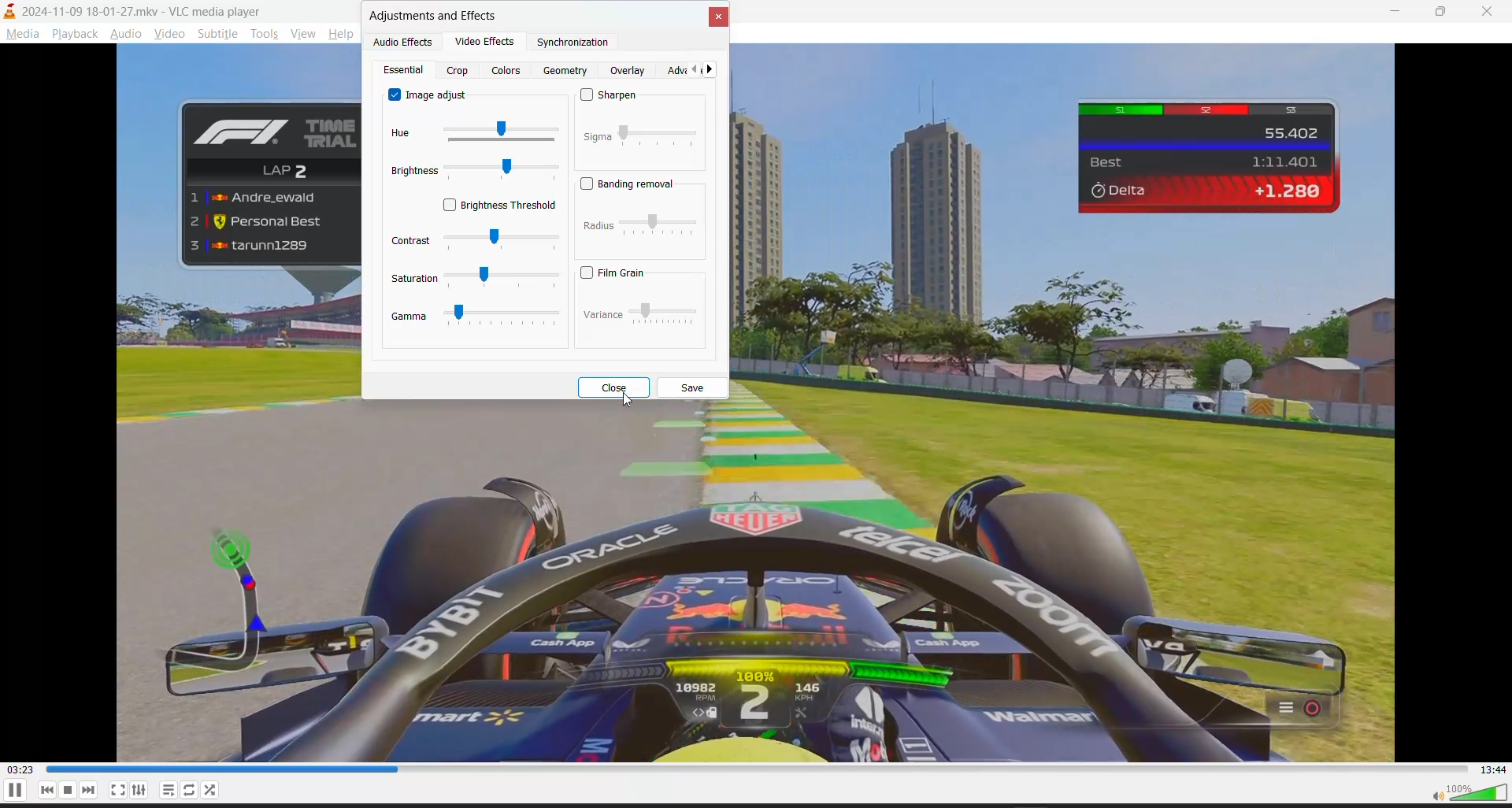 The width and height of the screenshot is (1512, 808). What do you see at coordinates (412, 171) in the screenshot?
I see `brightness` at bounding box center [412, 171].